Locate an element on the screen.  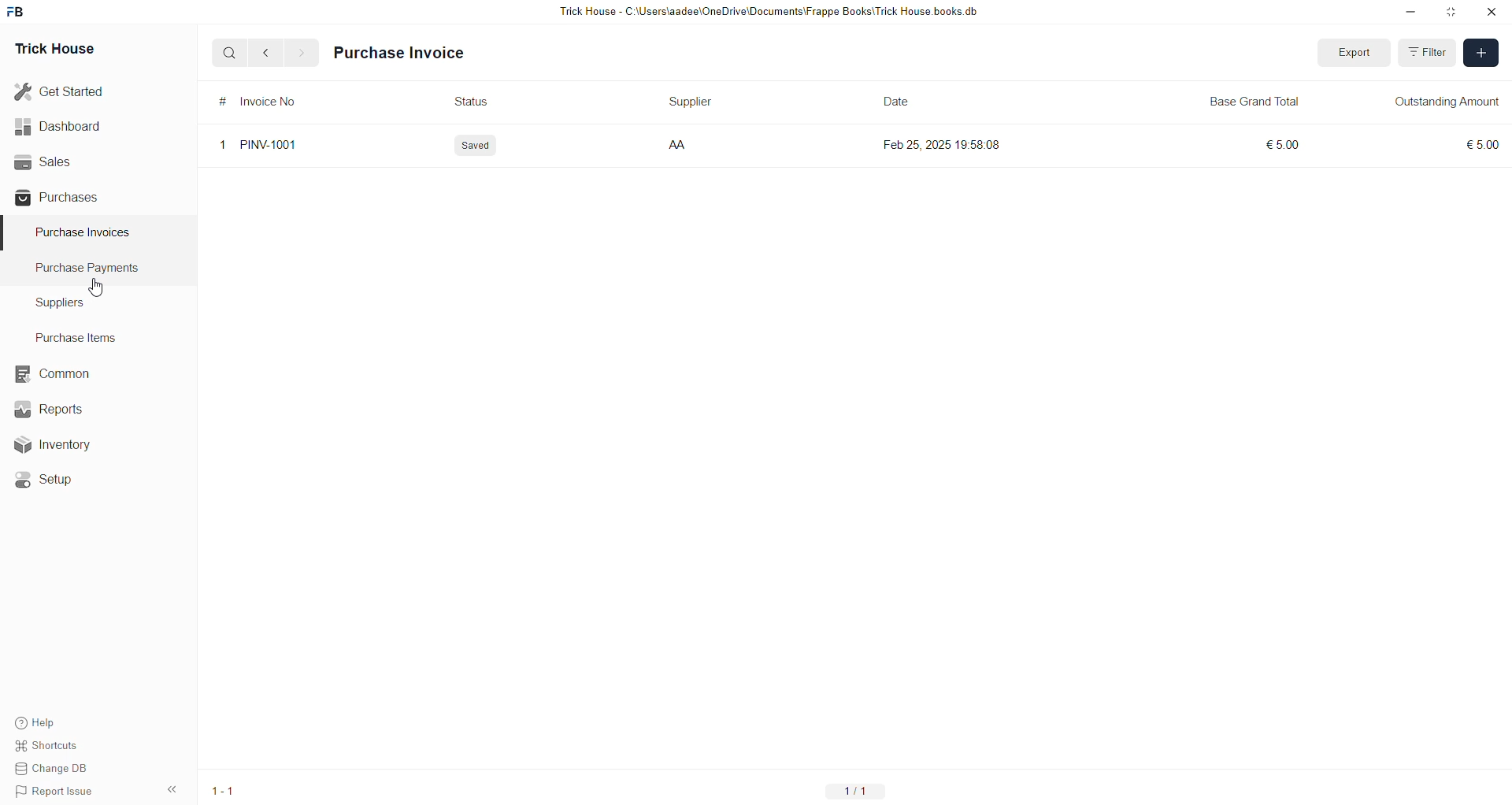
 Date is located at coordinates (905, 98).